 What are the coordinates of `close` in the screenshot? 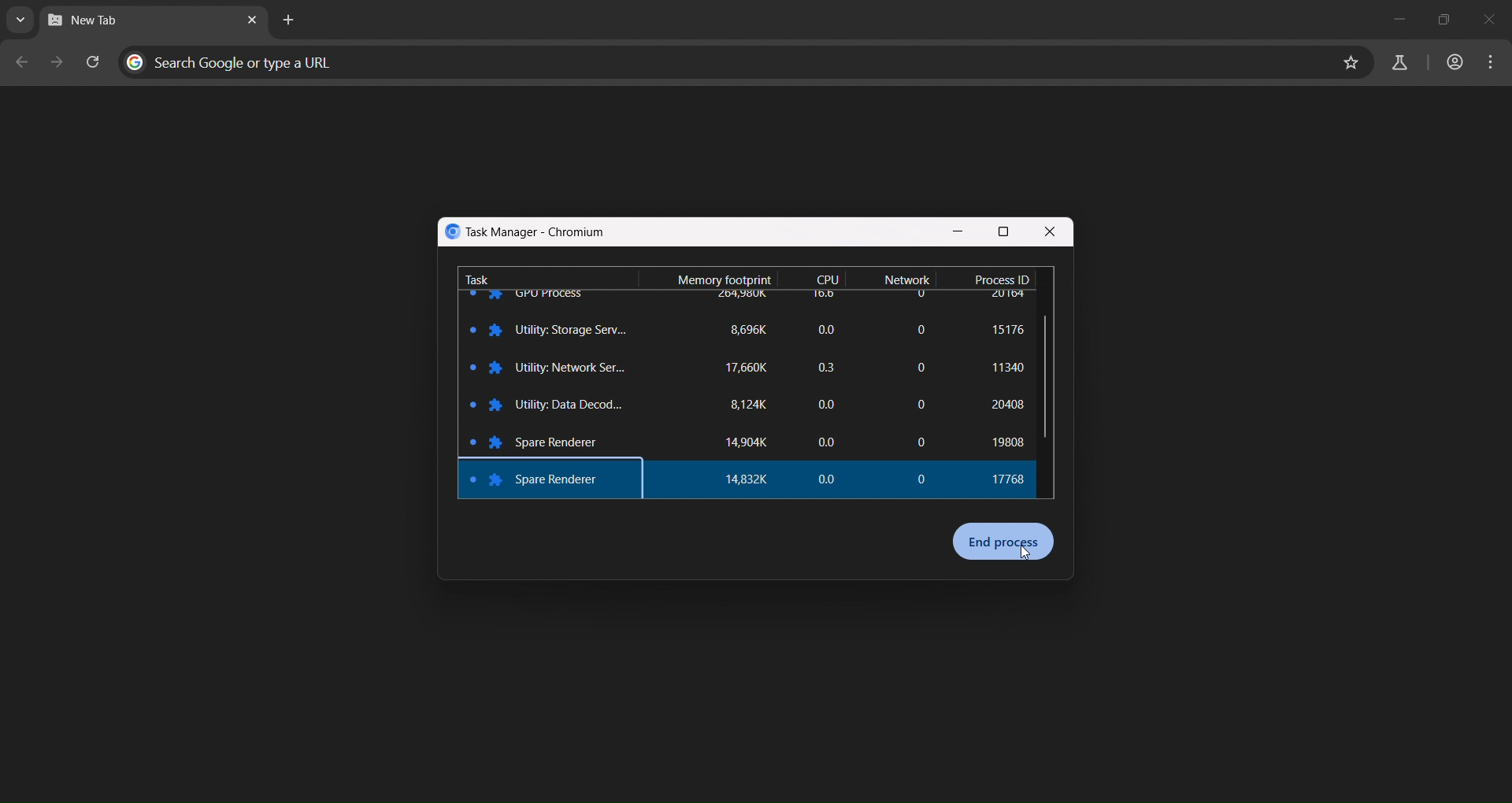 It's located at (1497, 18).